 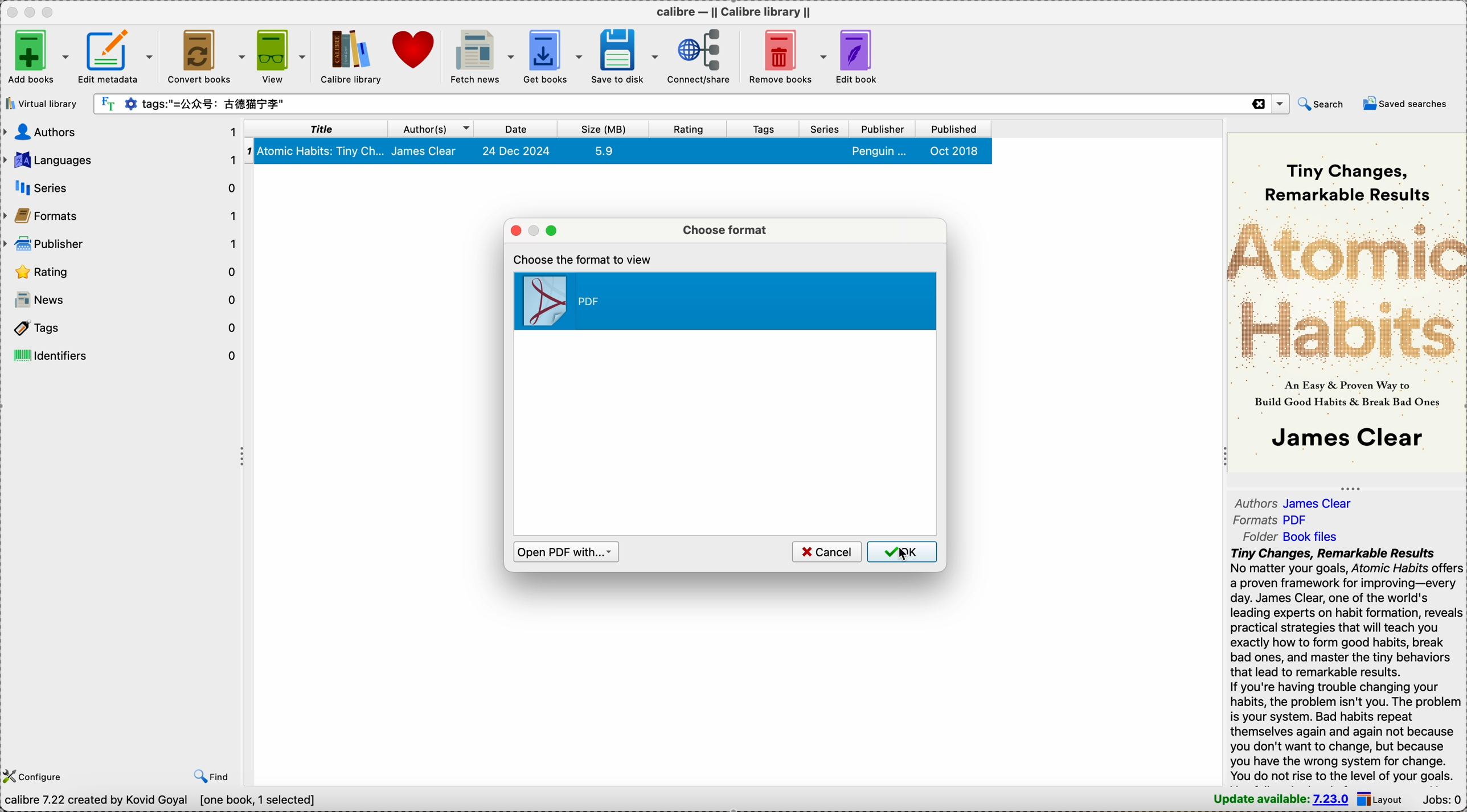 What do you see at coordinates (514, 231) in the screenshot?
I see `close popup` at bounding box center [514, 231].